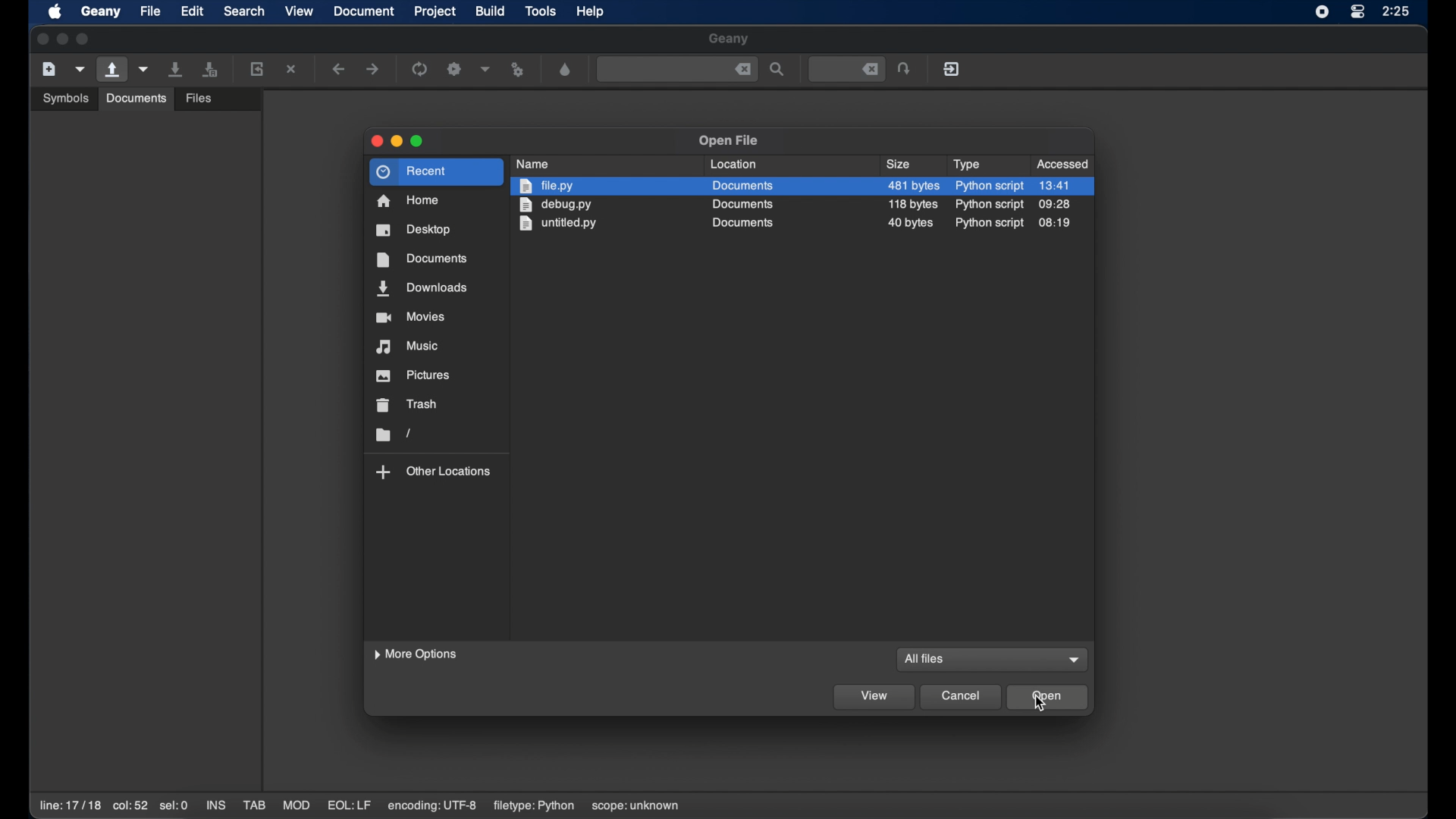  I want to click on project, so click(436, 11).